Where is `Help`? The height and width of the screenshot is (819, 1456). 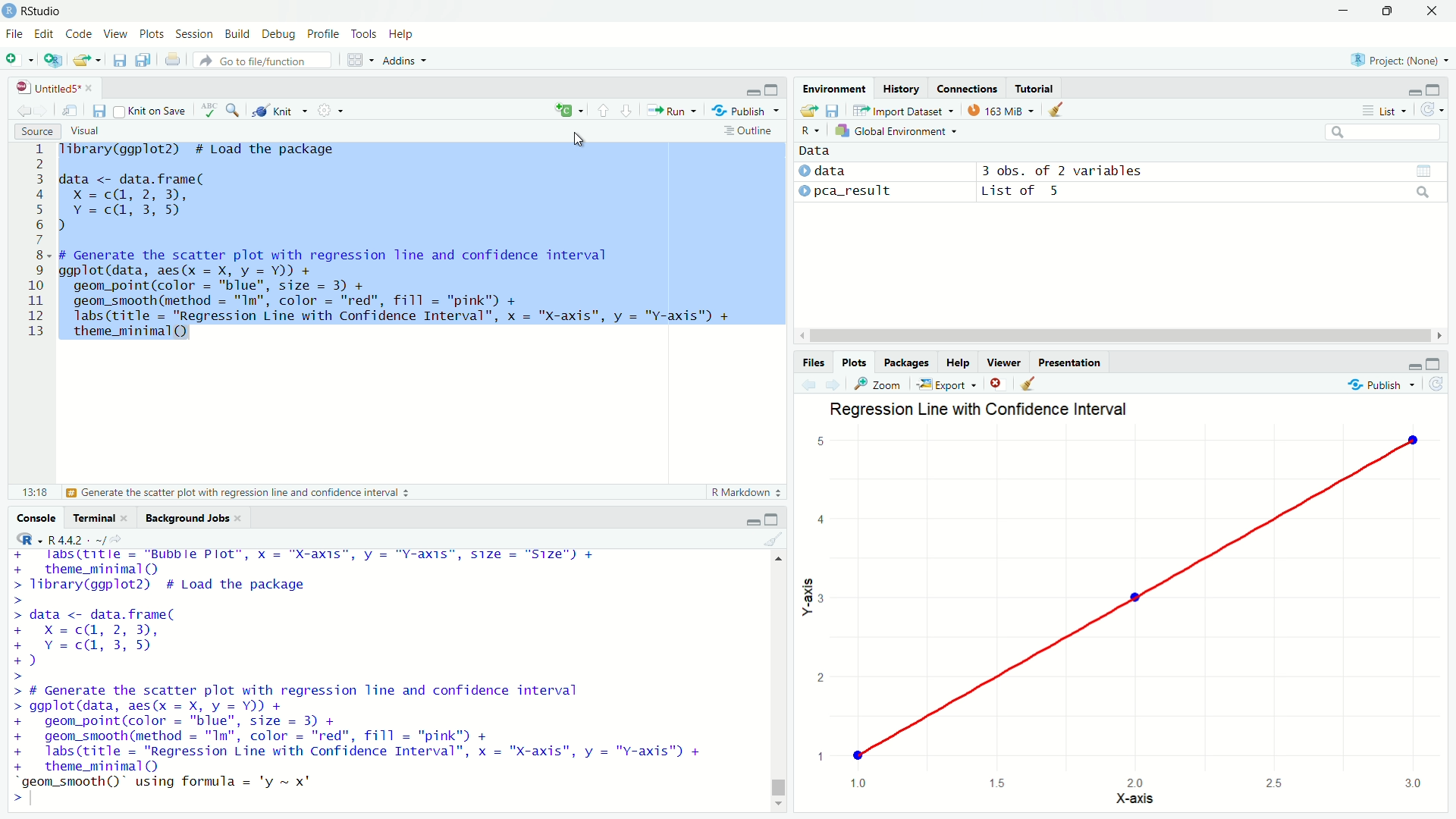
Help is located at coordinates (401, 34).